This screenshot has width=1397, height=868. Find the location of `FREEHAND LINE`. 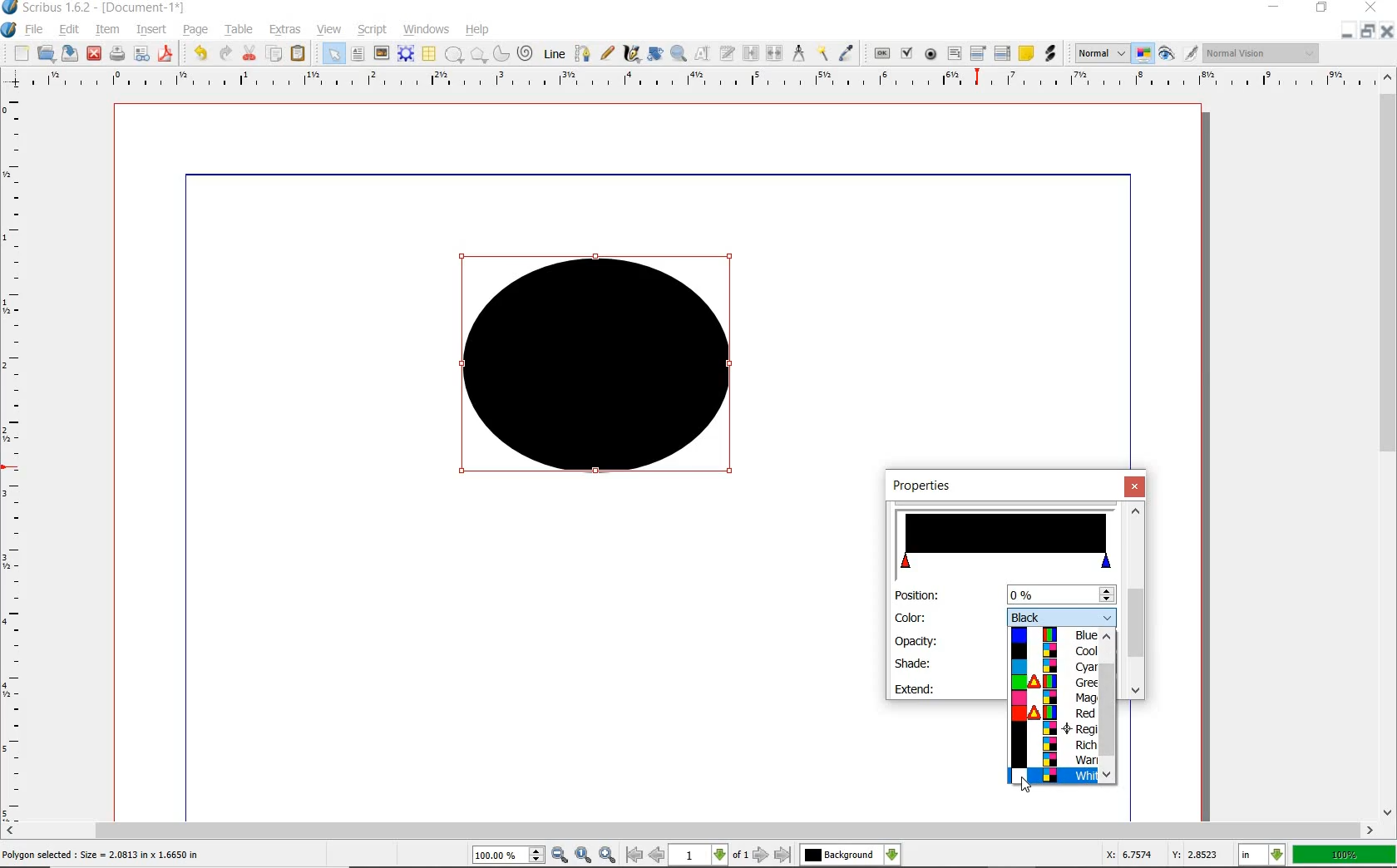

FREEHAND LINE is located at coordinates (608, 52).